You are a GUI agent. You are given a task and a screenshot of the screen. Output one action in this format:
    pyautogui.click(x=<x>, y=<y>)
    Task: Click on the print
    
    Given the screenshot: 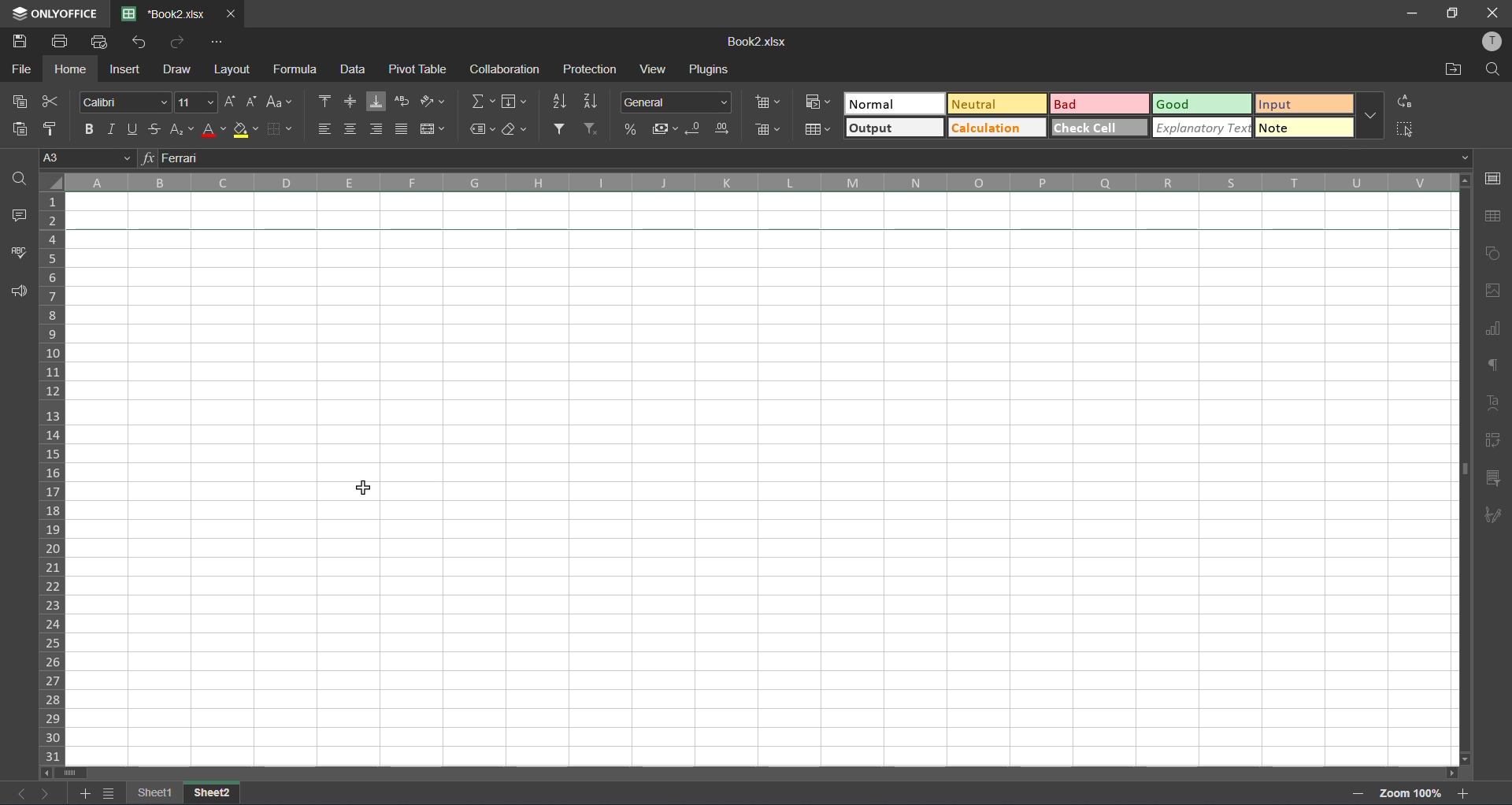 What is the action you would take?
    pyautogui.click(x=61, y=43)
    